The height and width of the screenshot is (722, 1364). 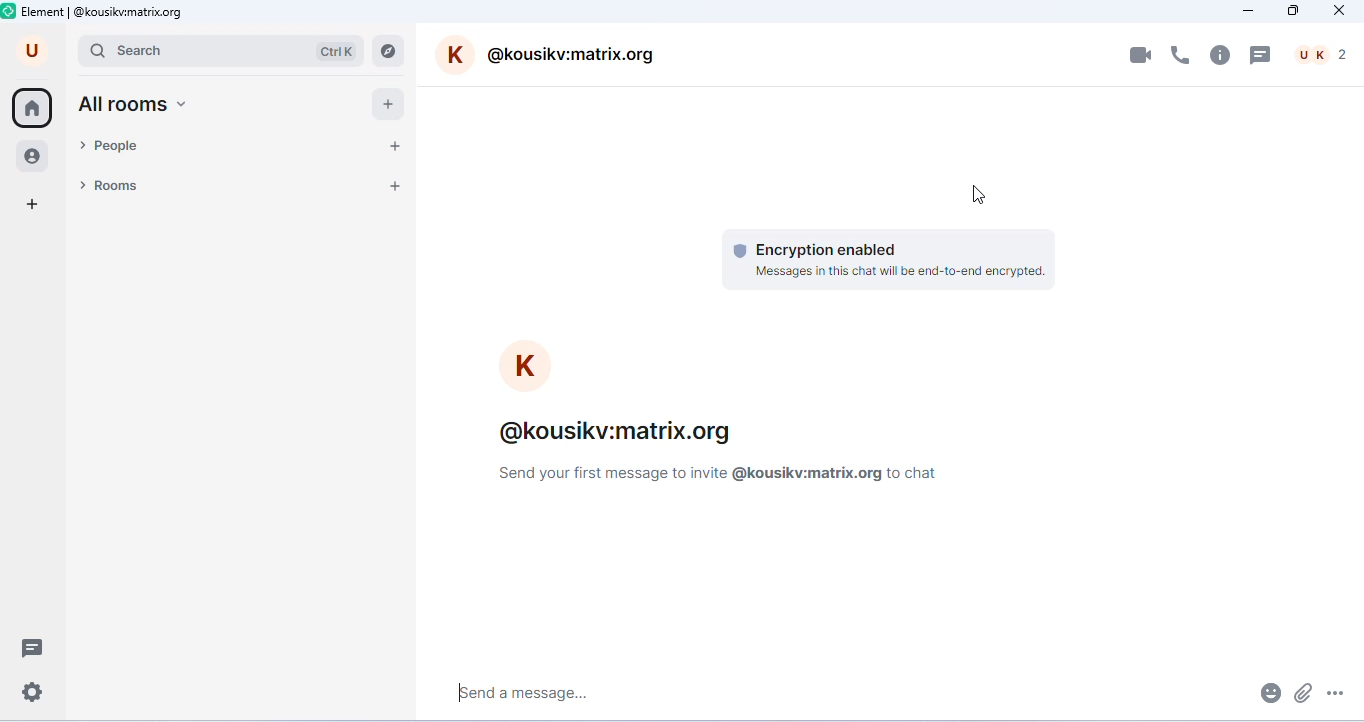 I want to click on minimize, so click(x=1246, y=11).